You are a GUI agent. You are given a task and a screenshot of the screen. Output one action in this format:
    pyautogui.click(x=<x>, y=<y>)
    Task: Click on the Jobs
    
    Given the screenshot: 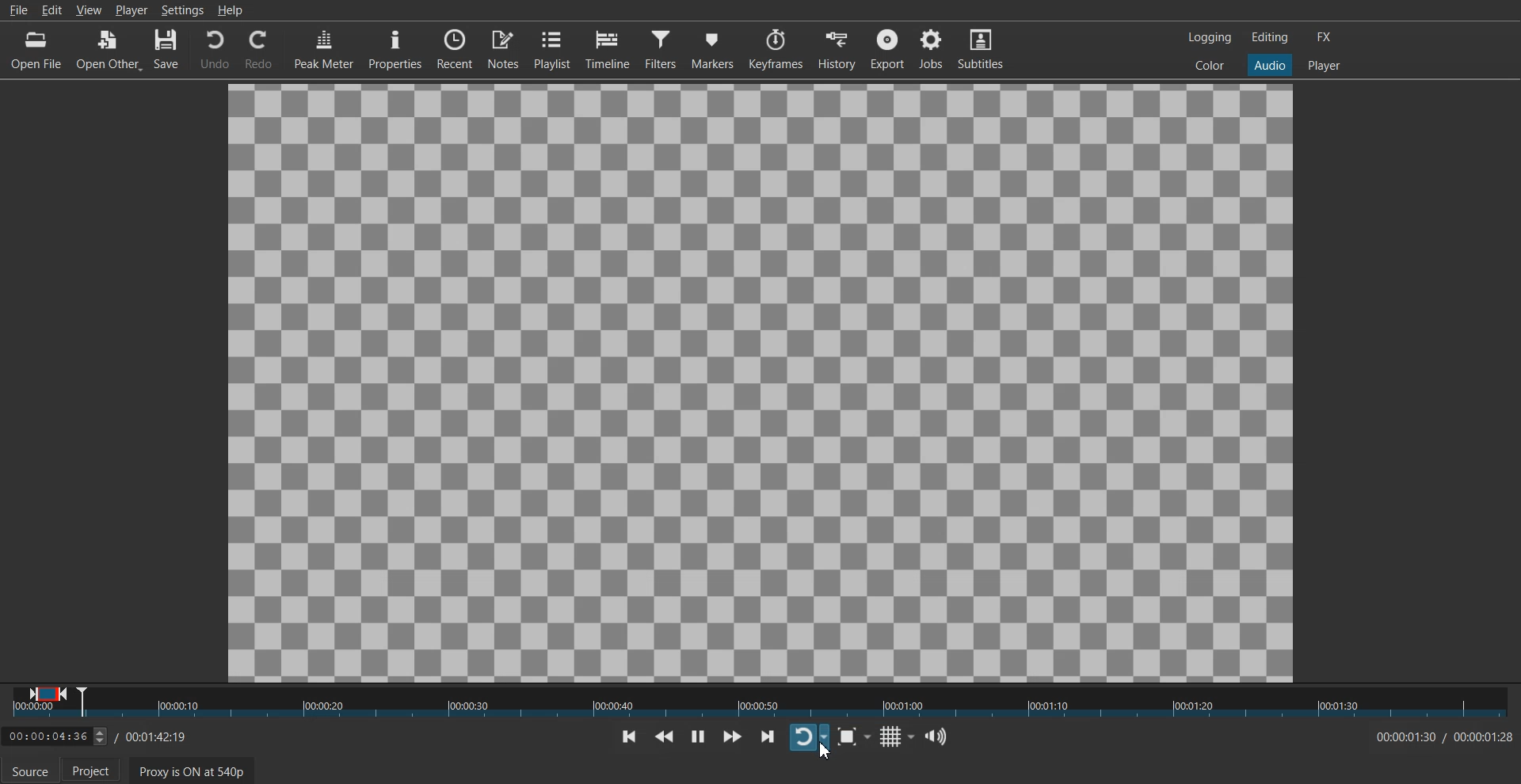 What is the action you would take?
    pyautogui.click(x=932, y=49)
    